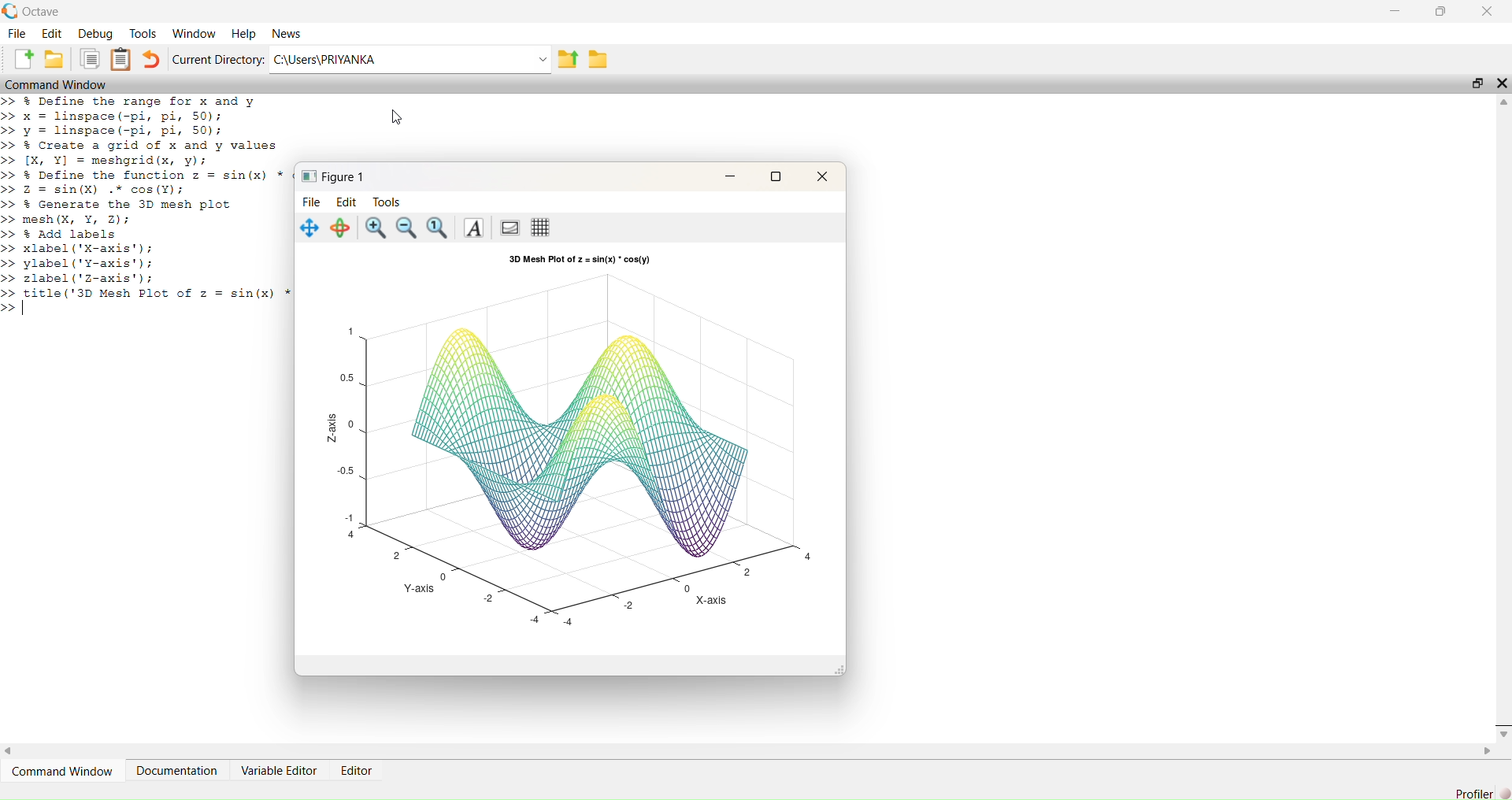 This screenshot has width=1512, height=800. What do you see at coordinates (827, 171) in the screenshot?
I see `Close` at bounding box center [827, 171].